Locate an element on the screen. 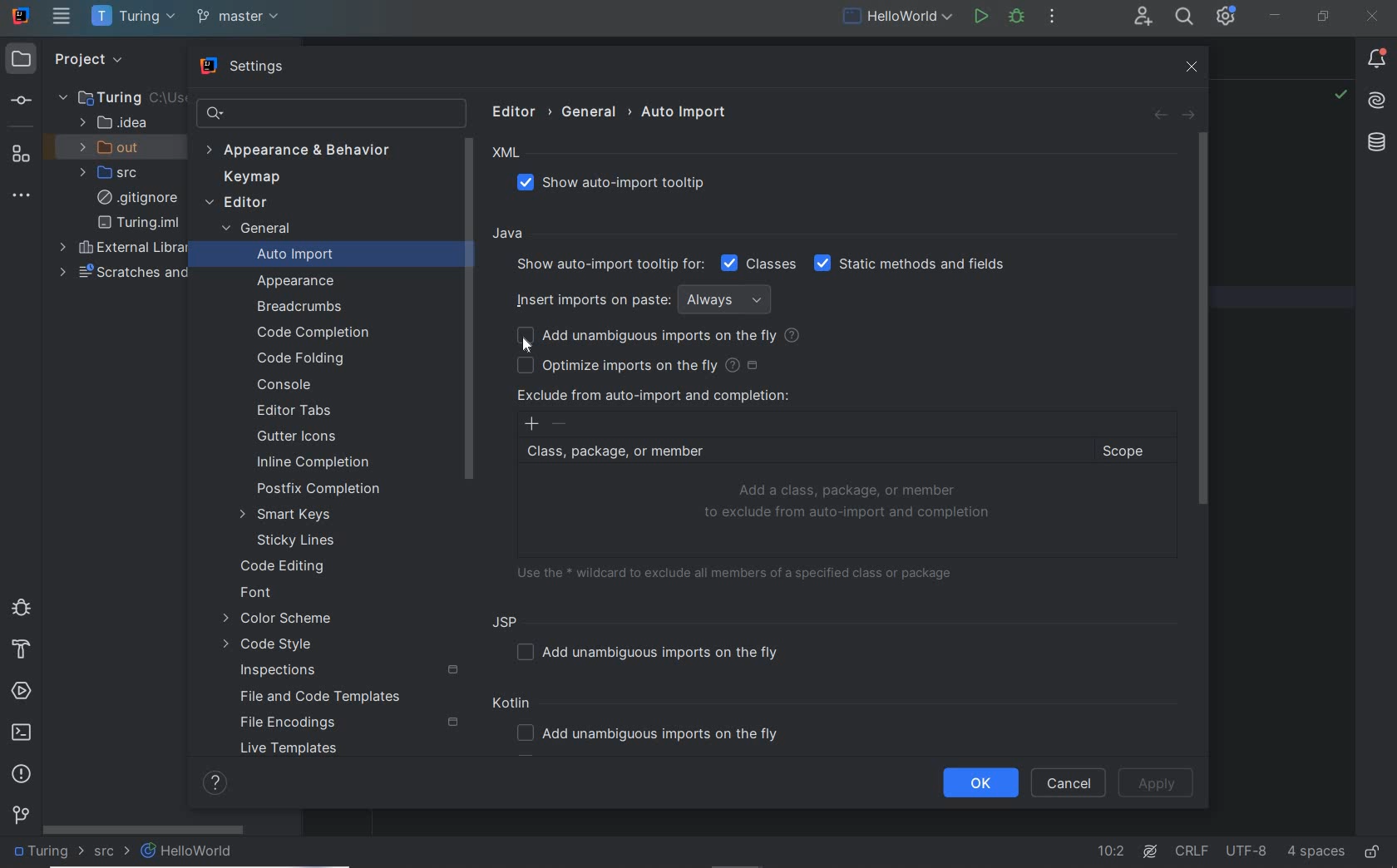 The width and height of the screenshot is (1397, 868). problems is located at coordinates (22, 773).